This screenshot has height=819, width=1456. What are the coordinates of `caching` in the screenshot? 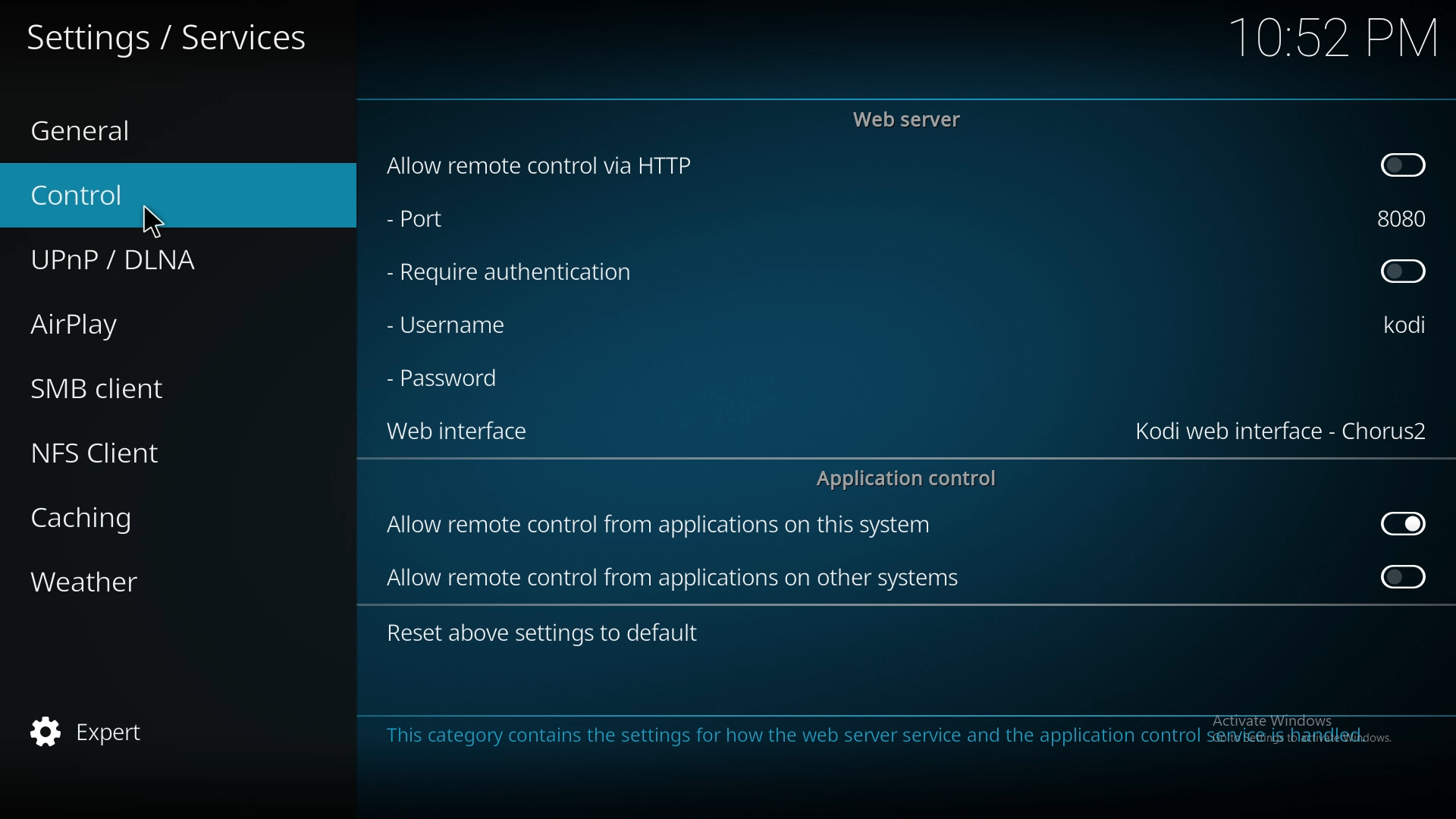 It's located at (155, 514).